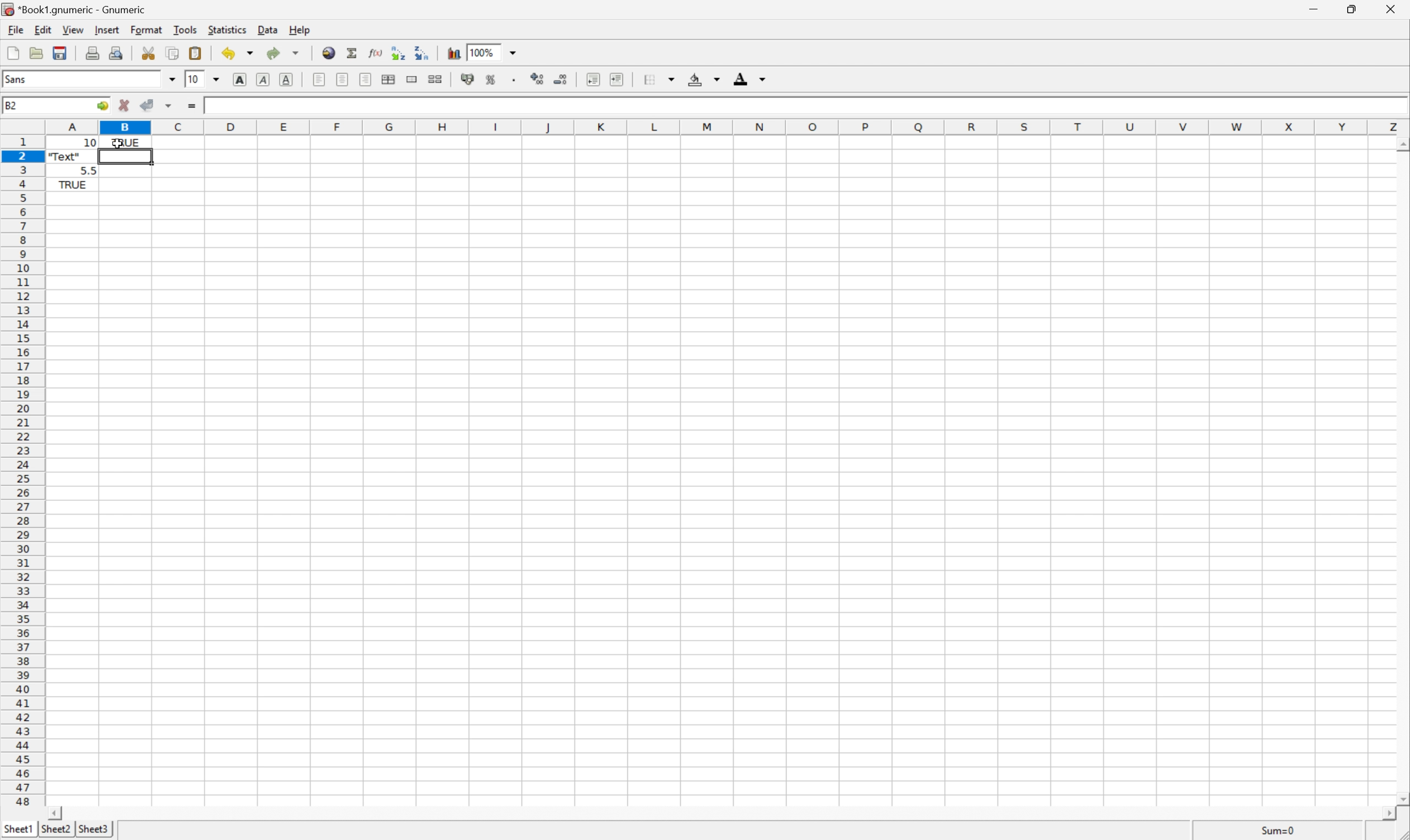 This screenshot has height=840, width=1410. What do you see at coordinates (514, 80) in the screenshot?
I see `Set the format of the selected cells to include a thousands separator` at bounding box center [514, 80].